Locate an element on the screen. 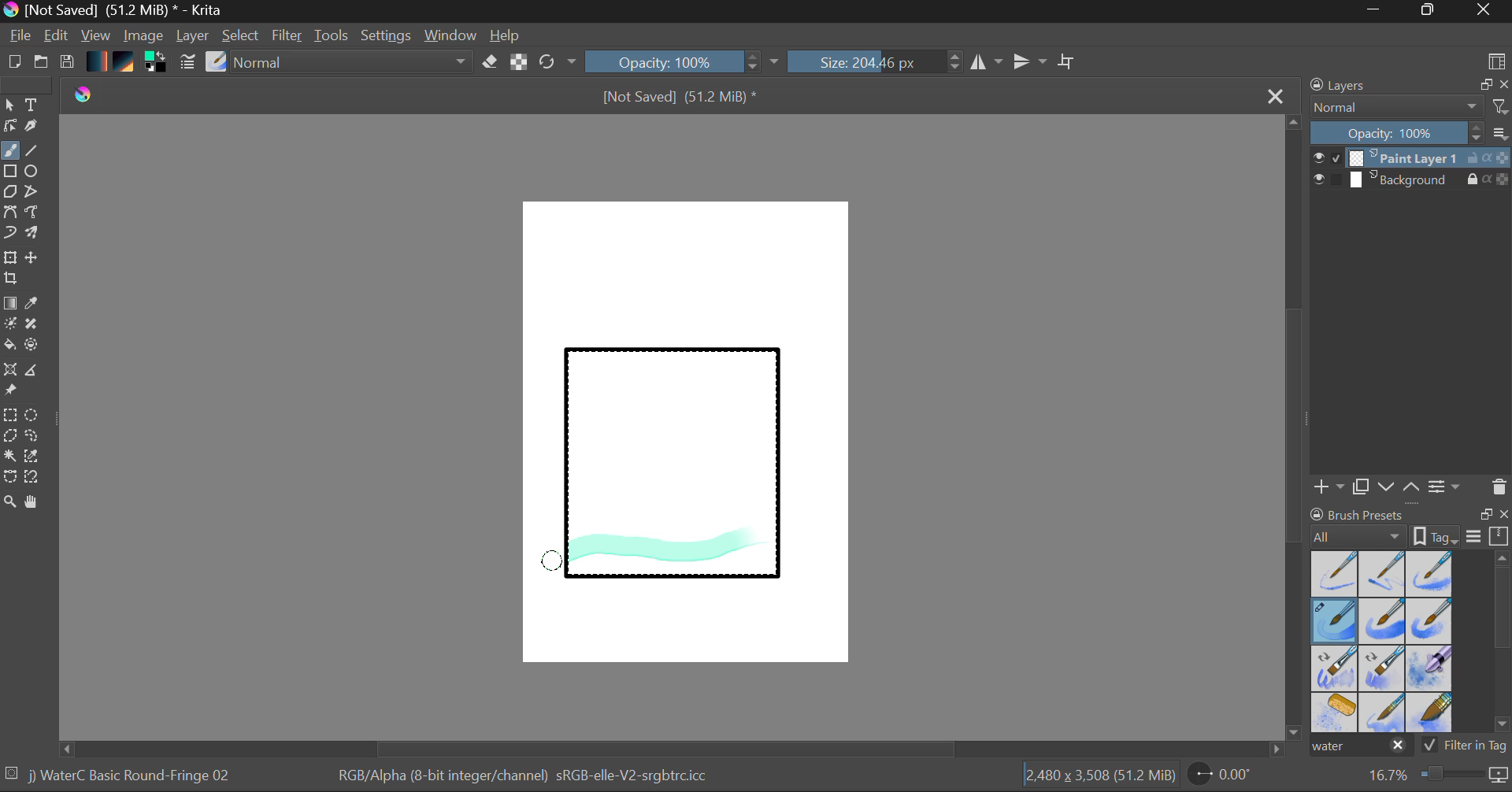 This screenshot has height=792, width=1512. Calligraphic Tool is located at coordinates (37, 129).